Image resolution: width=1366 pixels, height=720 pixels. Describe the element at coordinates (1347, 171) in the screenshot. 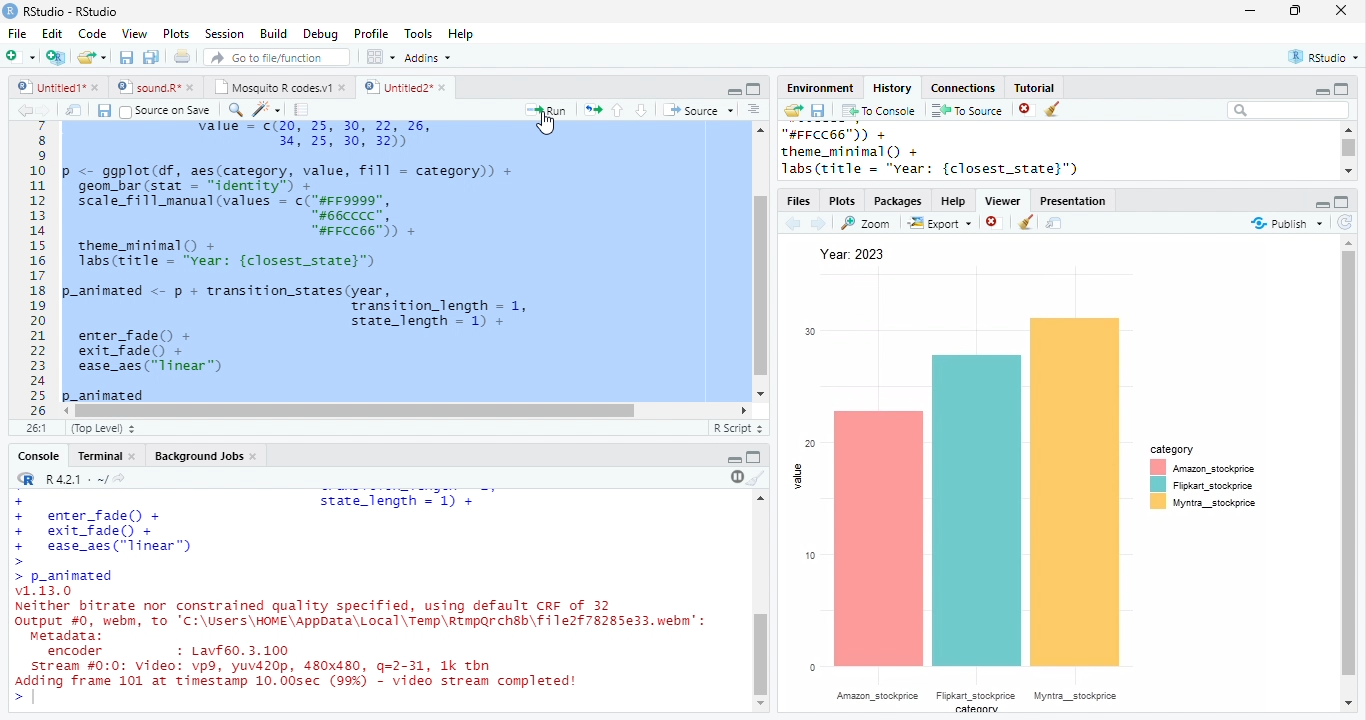

I see `scroll down` at that location.